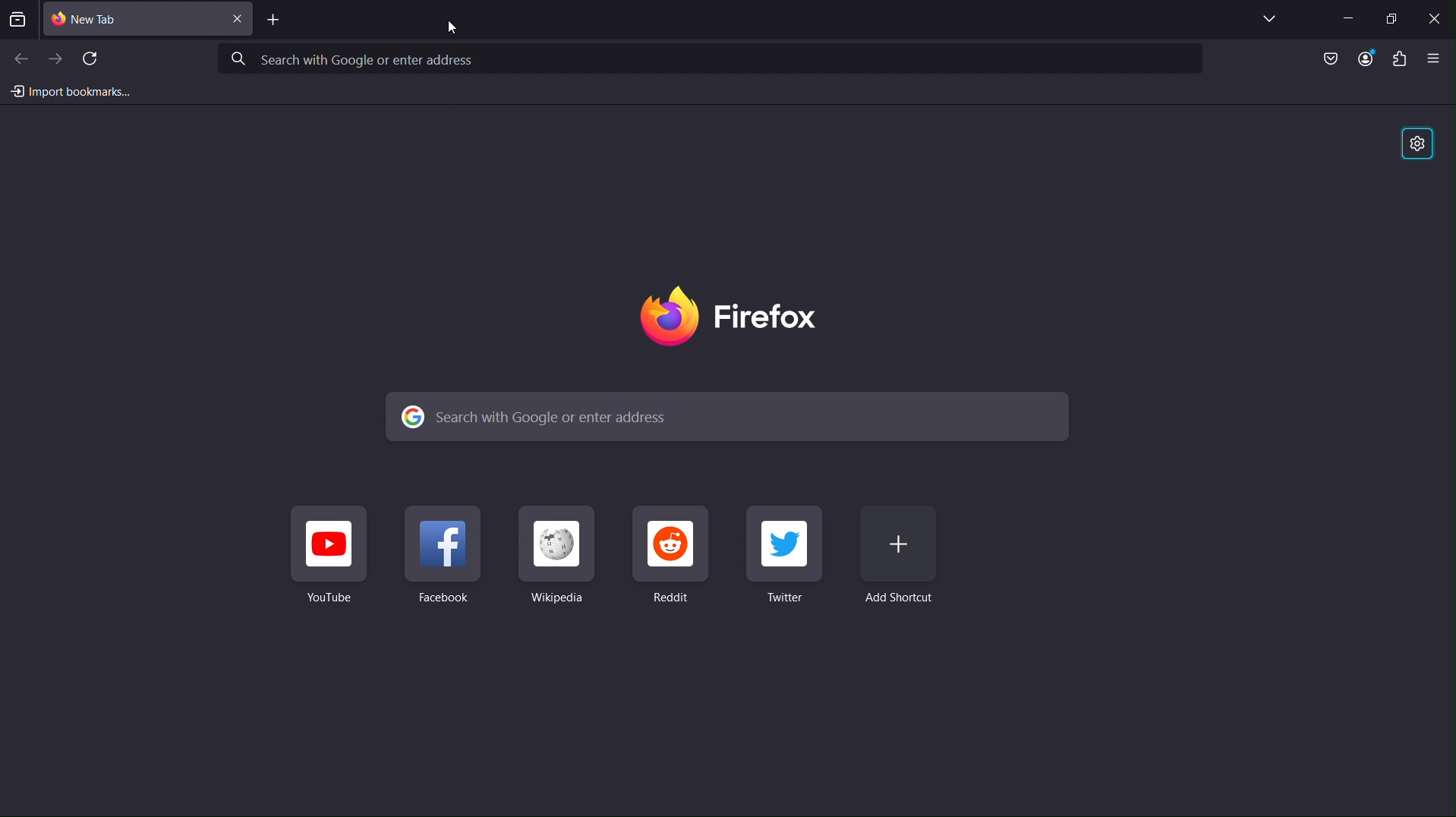 Image resolution: width=1456 pixels, height=817 pixels. I want to click on Plugin, so click(1400, 58).